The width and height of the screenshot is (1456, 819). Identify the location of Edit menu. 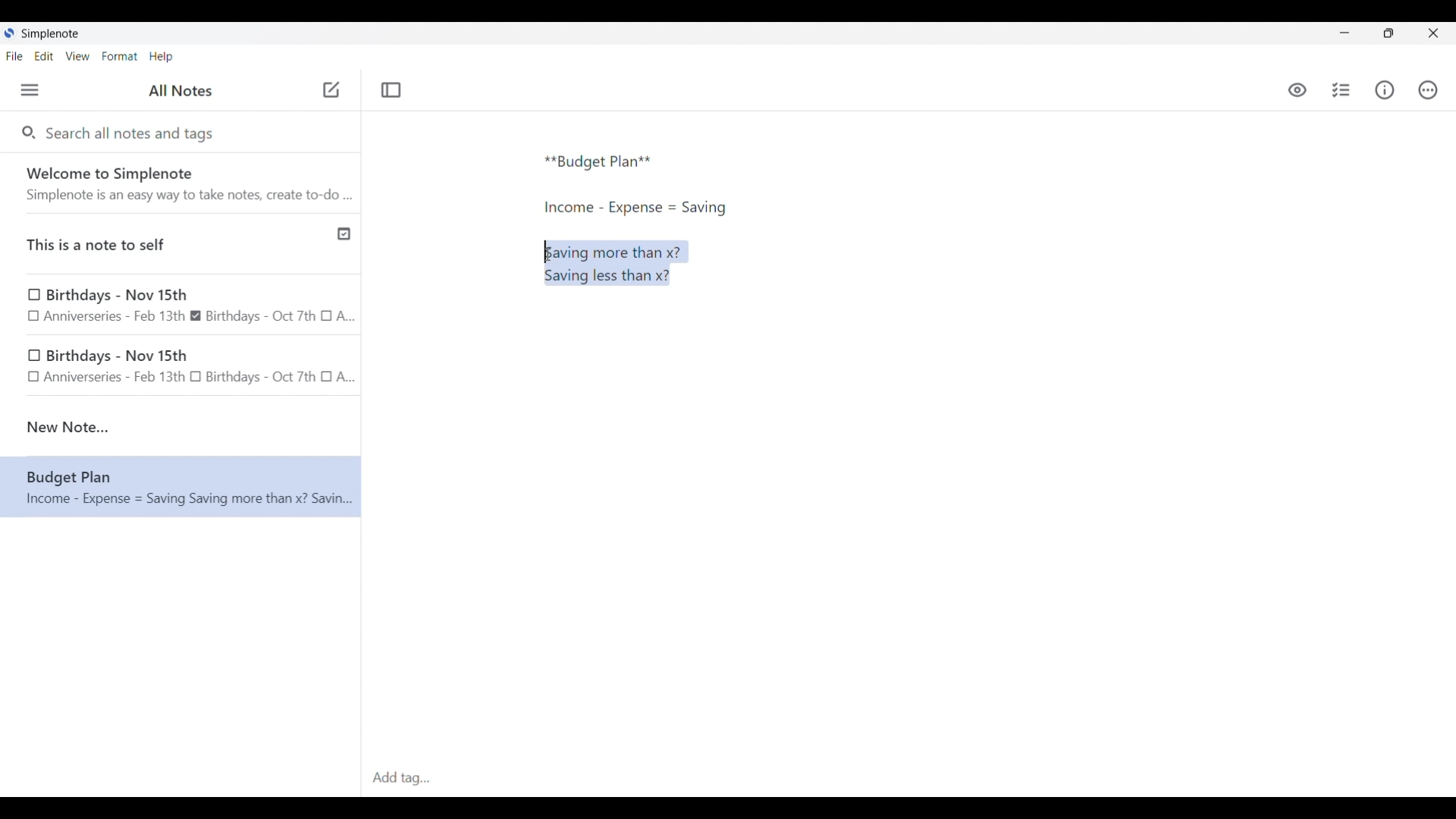
(45, 55).